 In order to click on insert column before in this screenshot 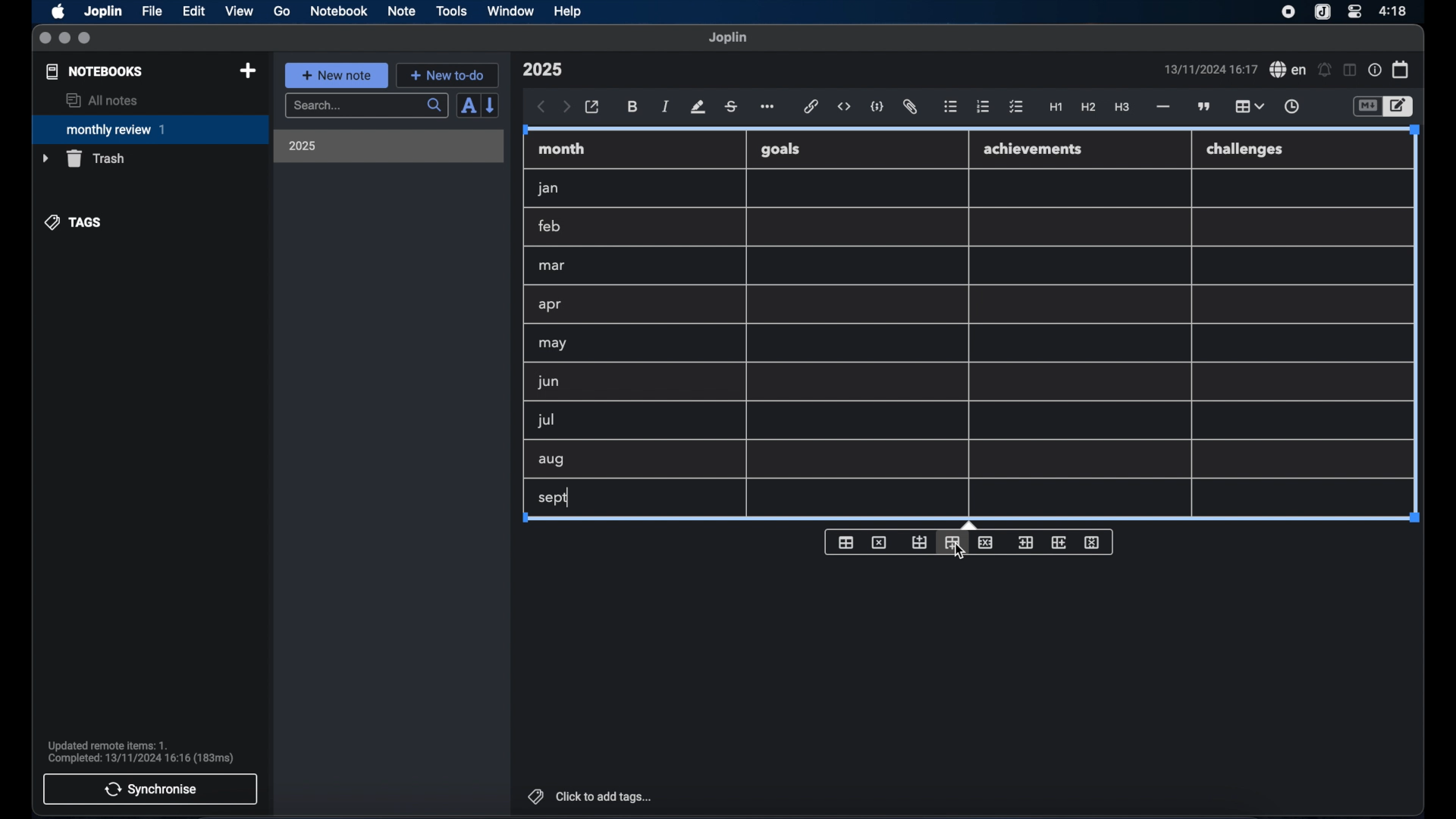, I will do `click(1025, 543)`.